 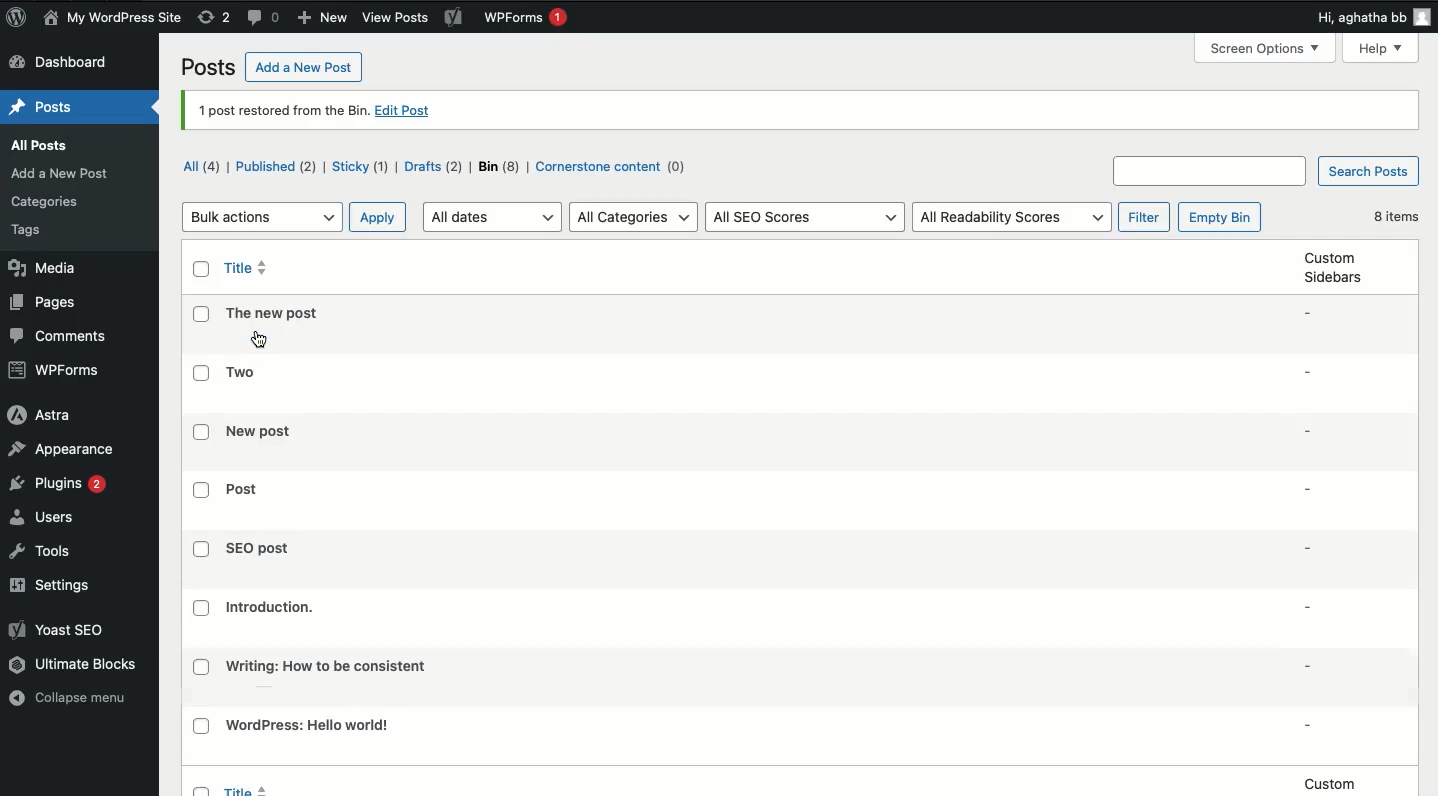 I want to click on WPForms, so click(x=526, y=18).